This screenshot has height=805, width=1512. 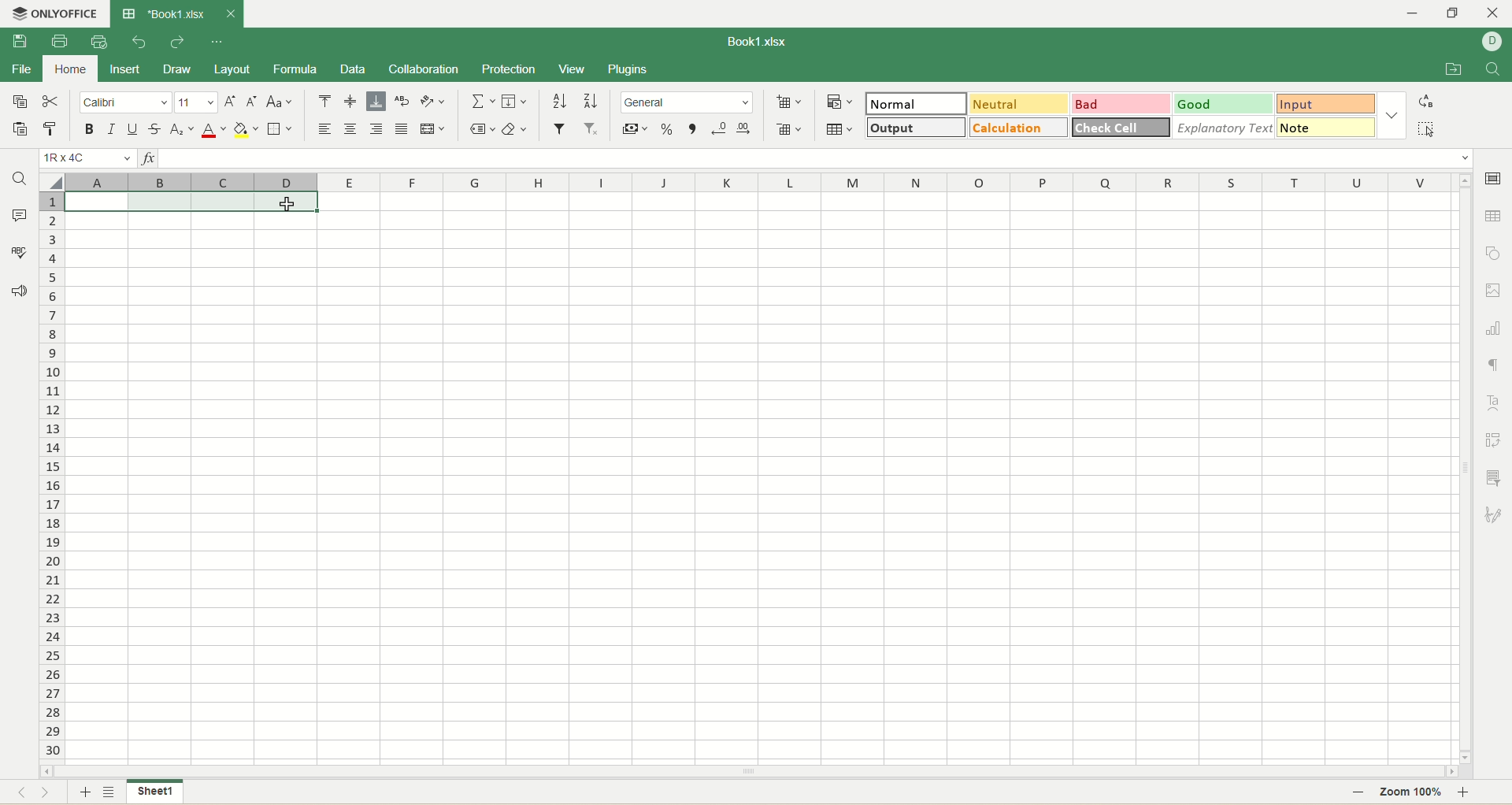 I want to click on underline, so click(x=134, y=131).